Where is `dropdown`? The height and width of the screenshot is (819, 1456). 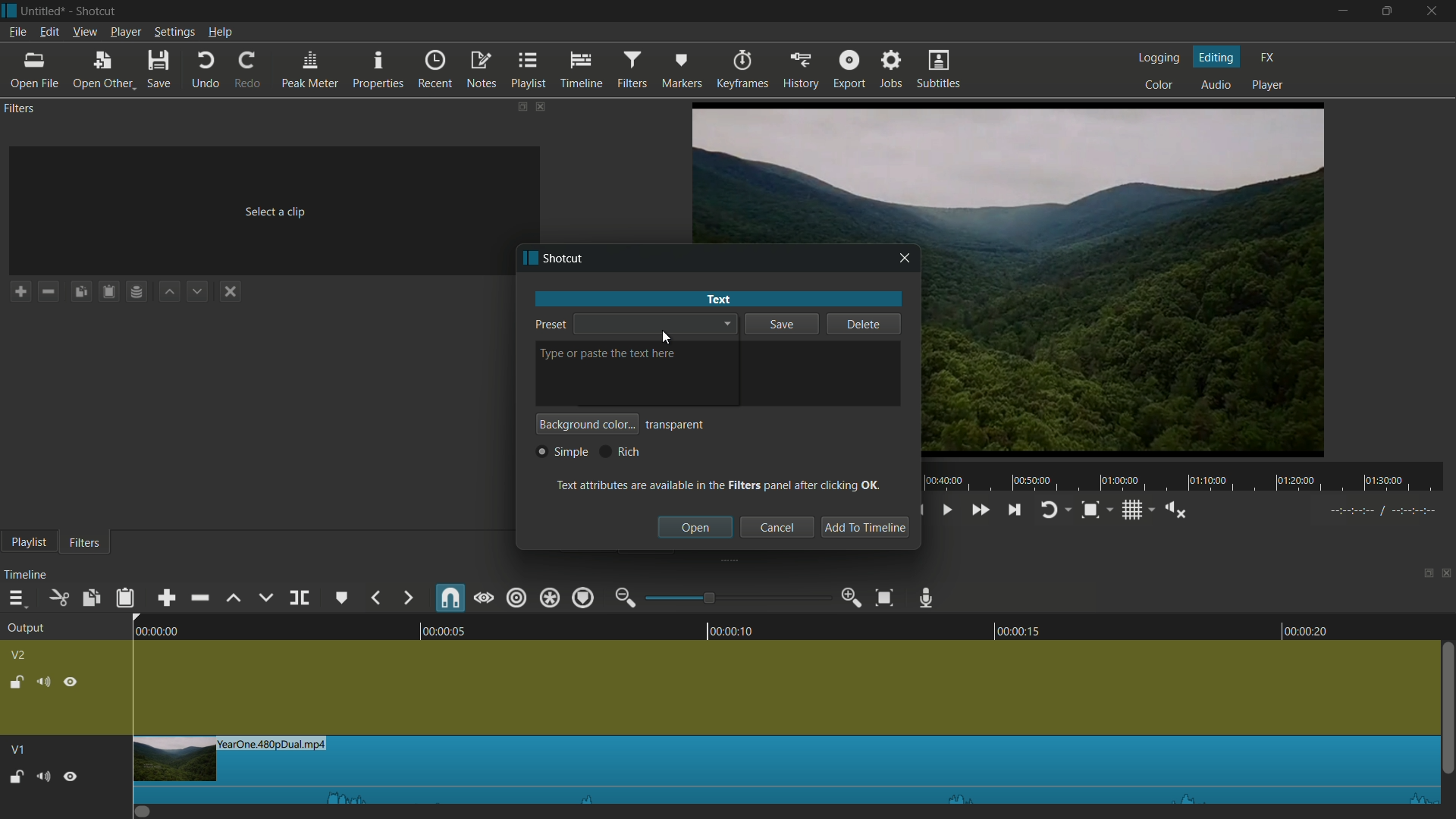
dropdown is located at coordinates (654, 322).